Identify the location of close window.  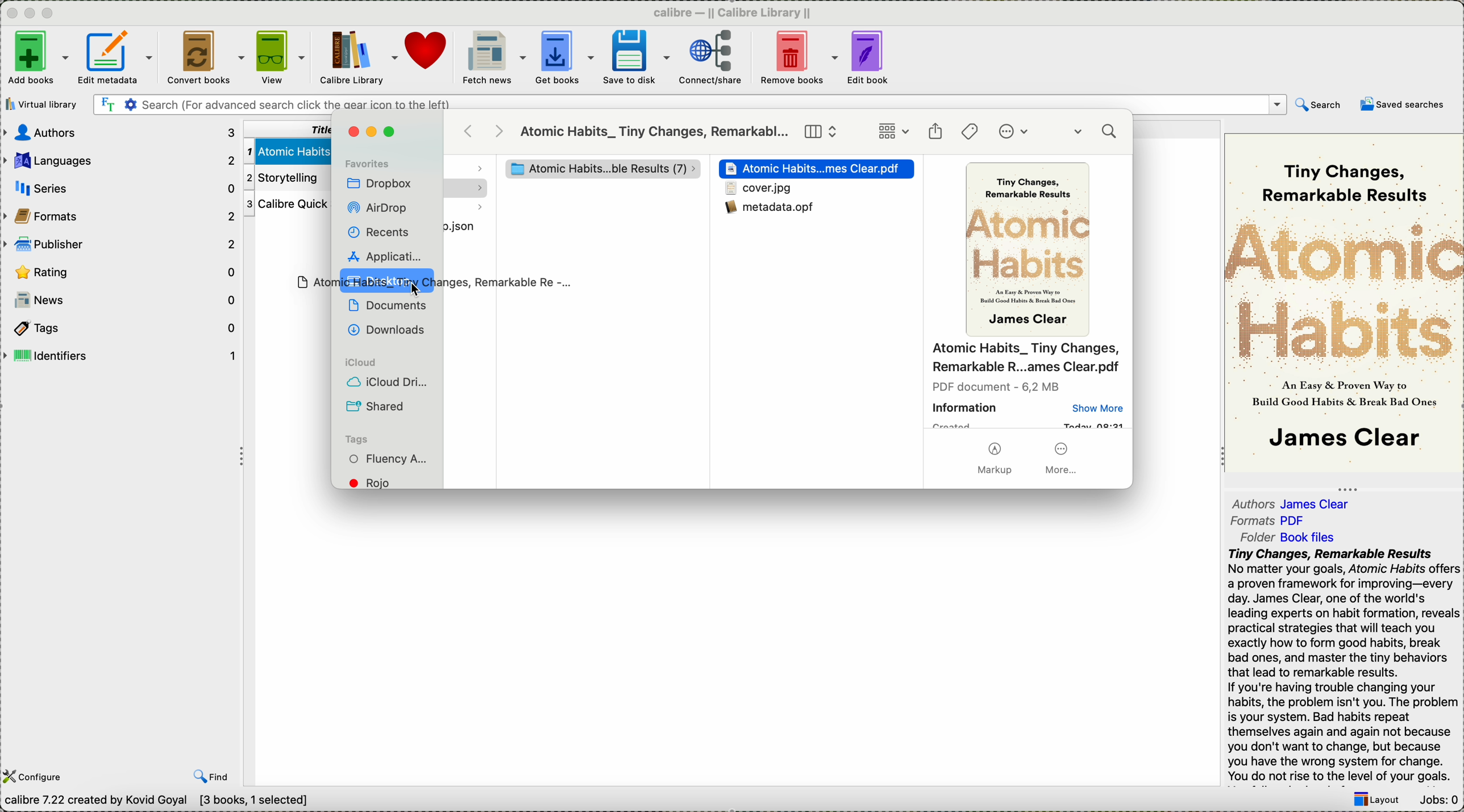
(352, 132).